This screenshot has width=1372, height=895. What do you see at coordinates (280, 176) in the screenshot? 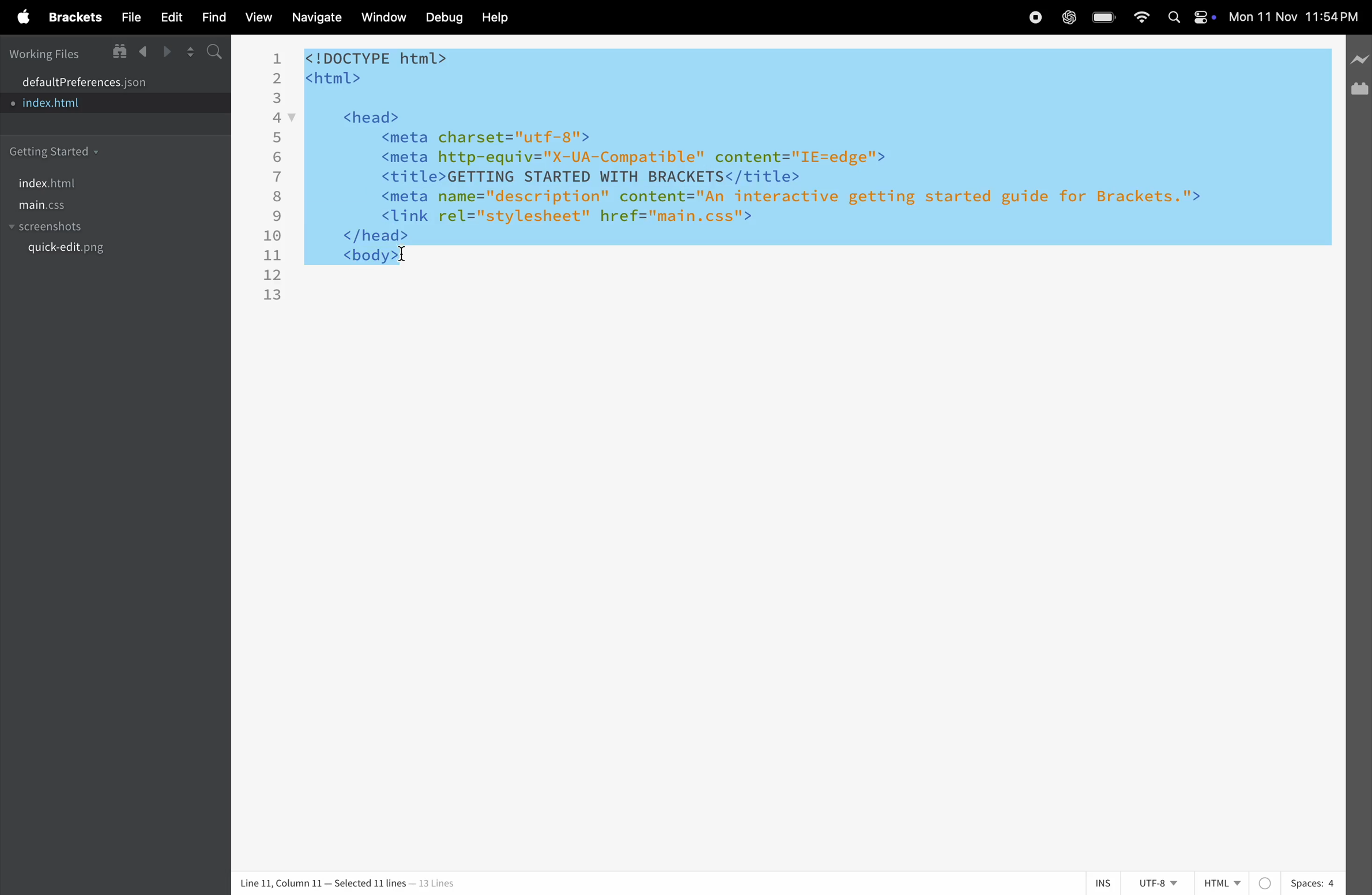
I see `7` at bounding box center [280, 176].